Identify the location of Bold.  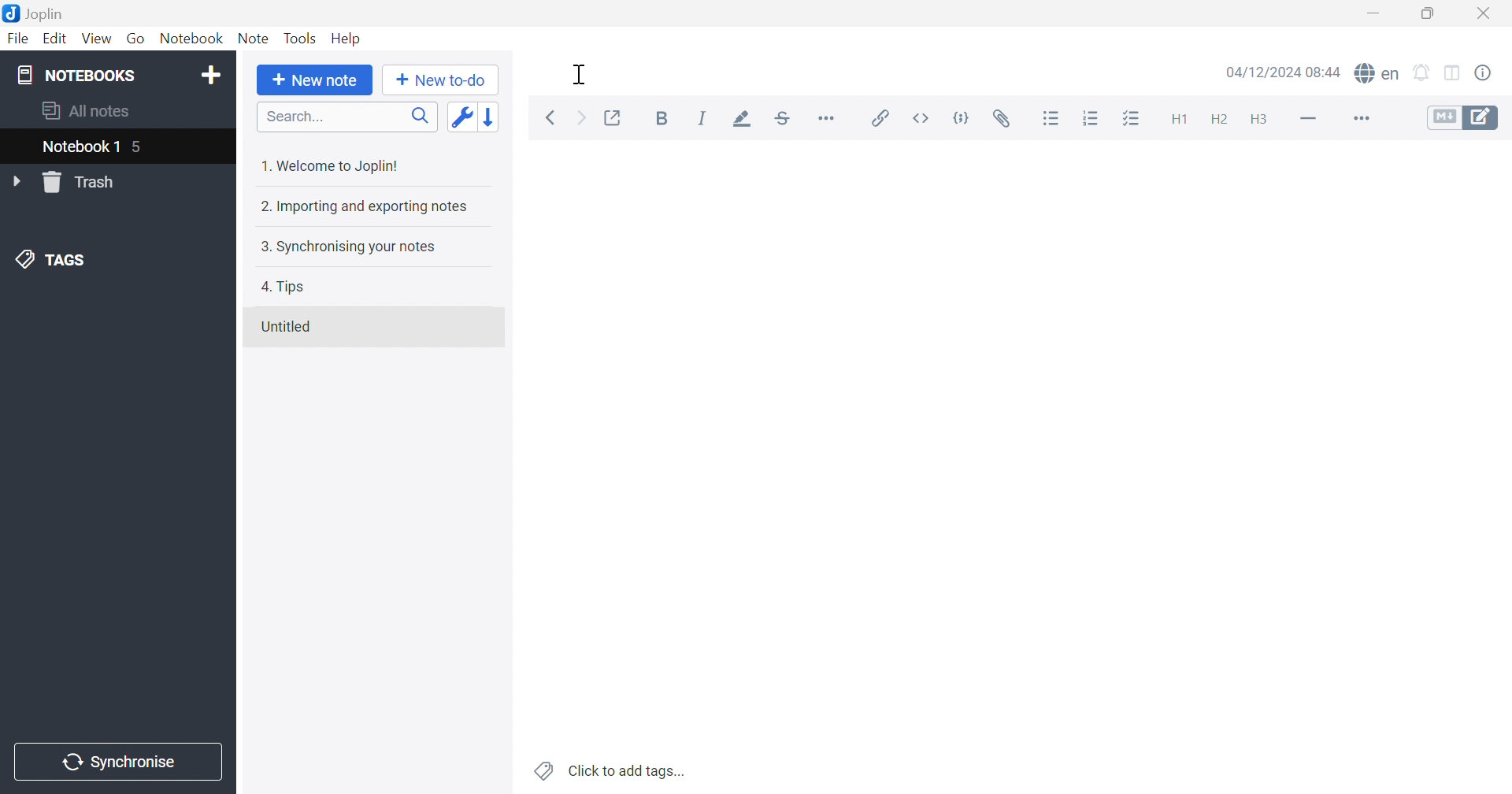
(661, 117).